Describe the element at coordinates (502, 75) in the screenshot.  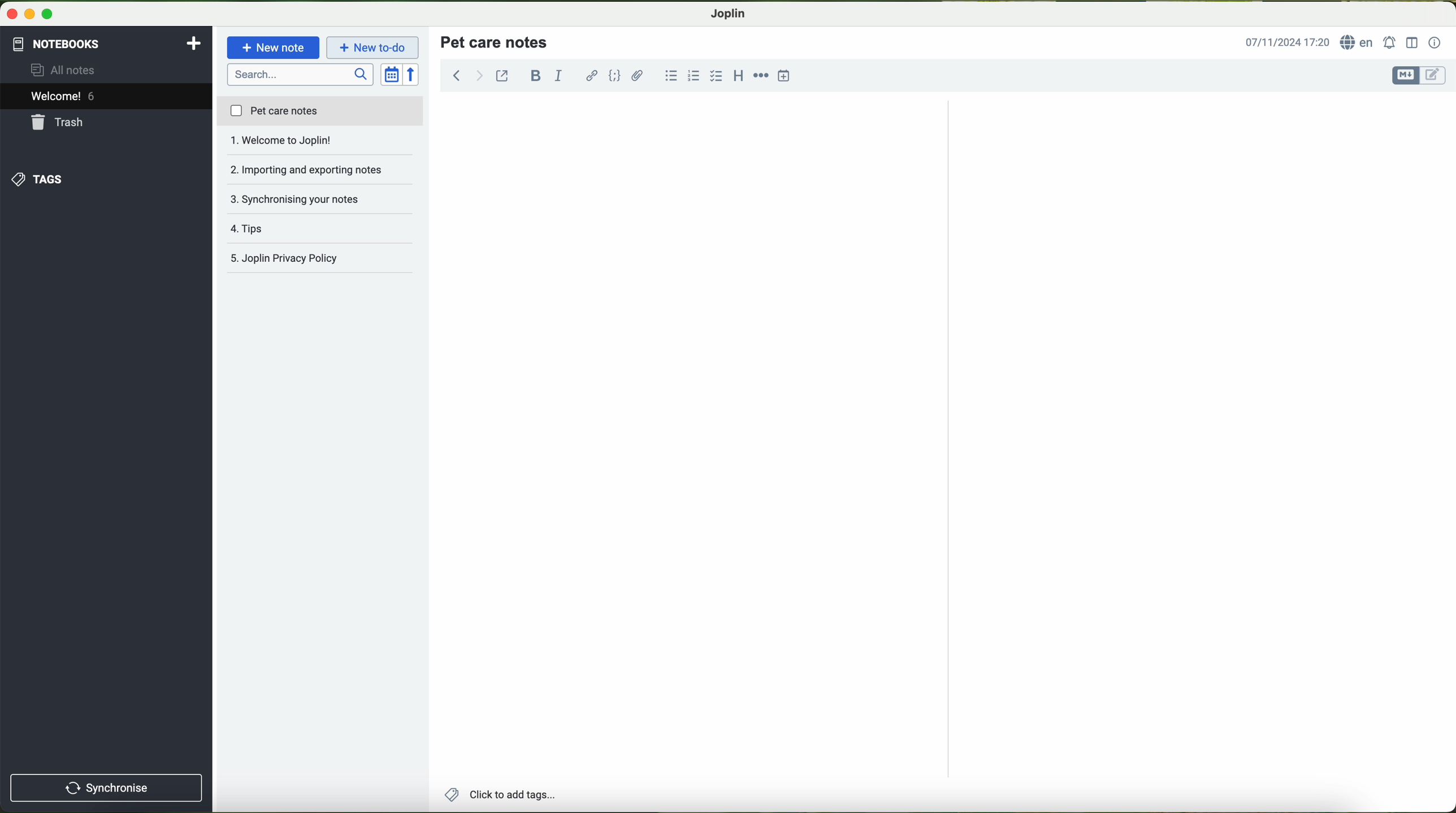
I see `toggle external editing` at that location.